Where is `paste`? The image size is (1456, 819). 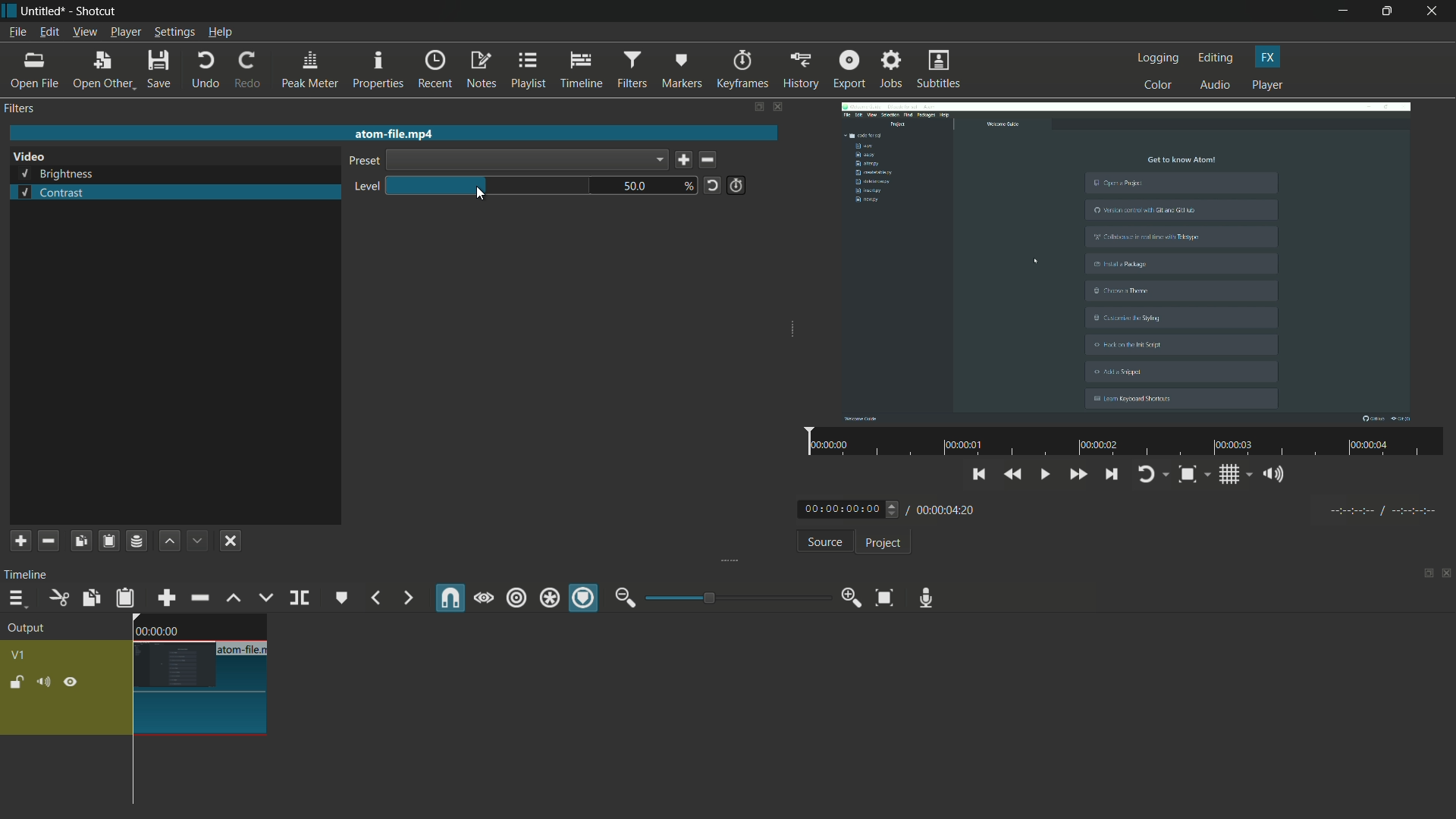
paste is located at coordinates (125, 598).